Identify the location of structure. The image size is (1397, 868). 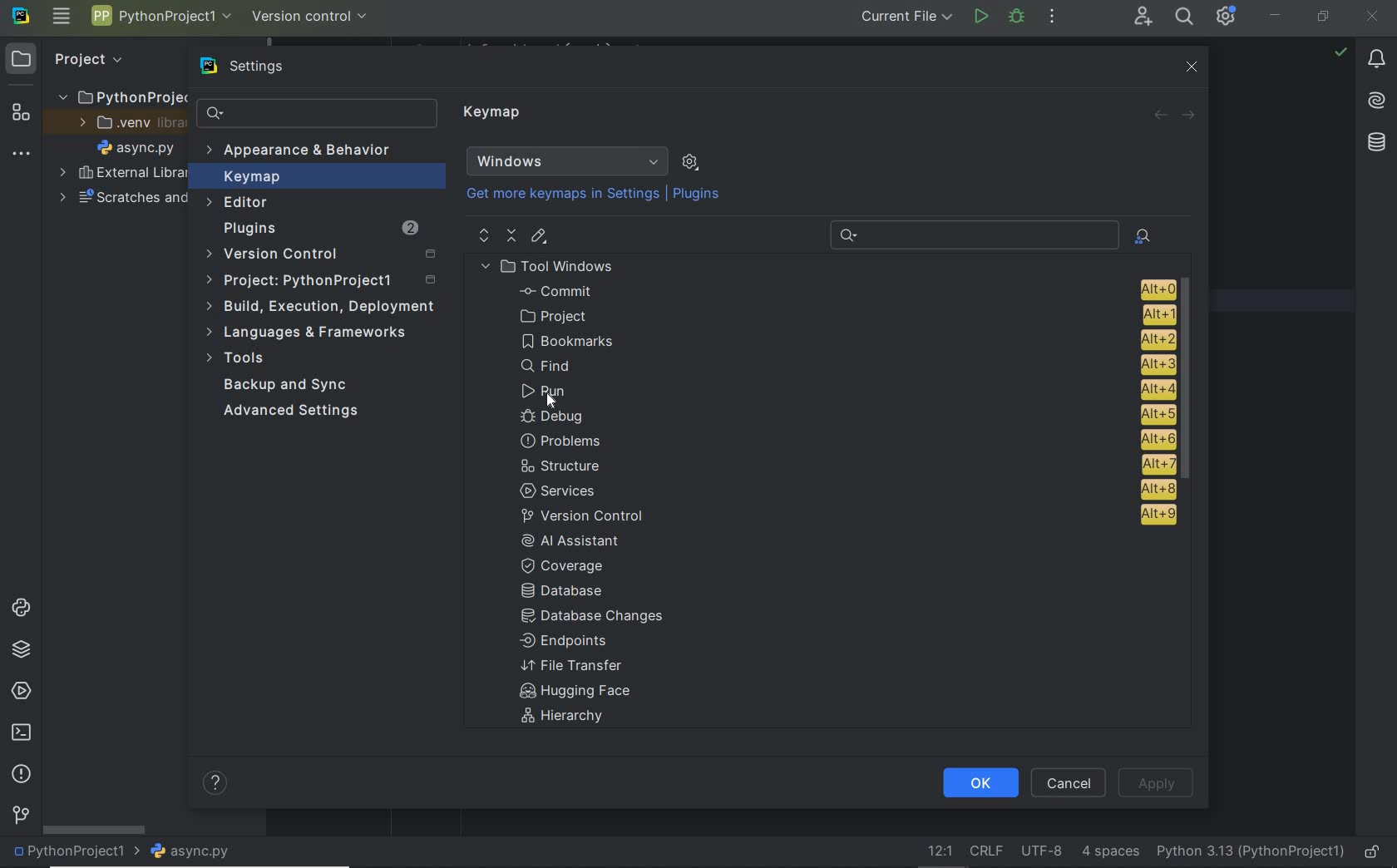
(18, 111).